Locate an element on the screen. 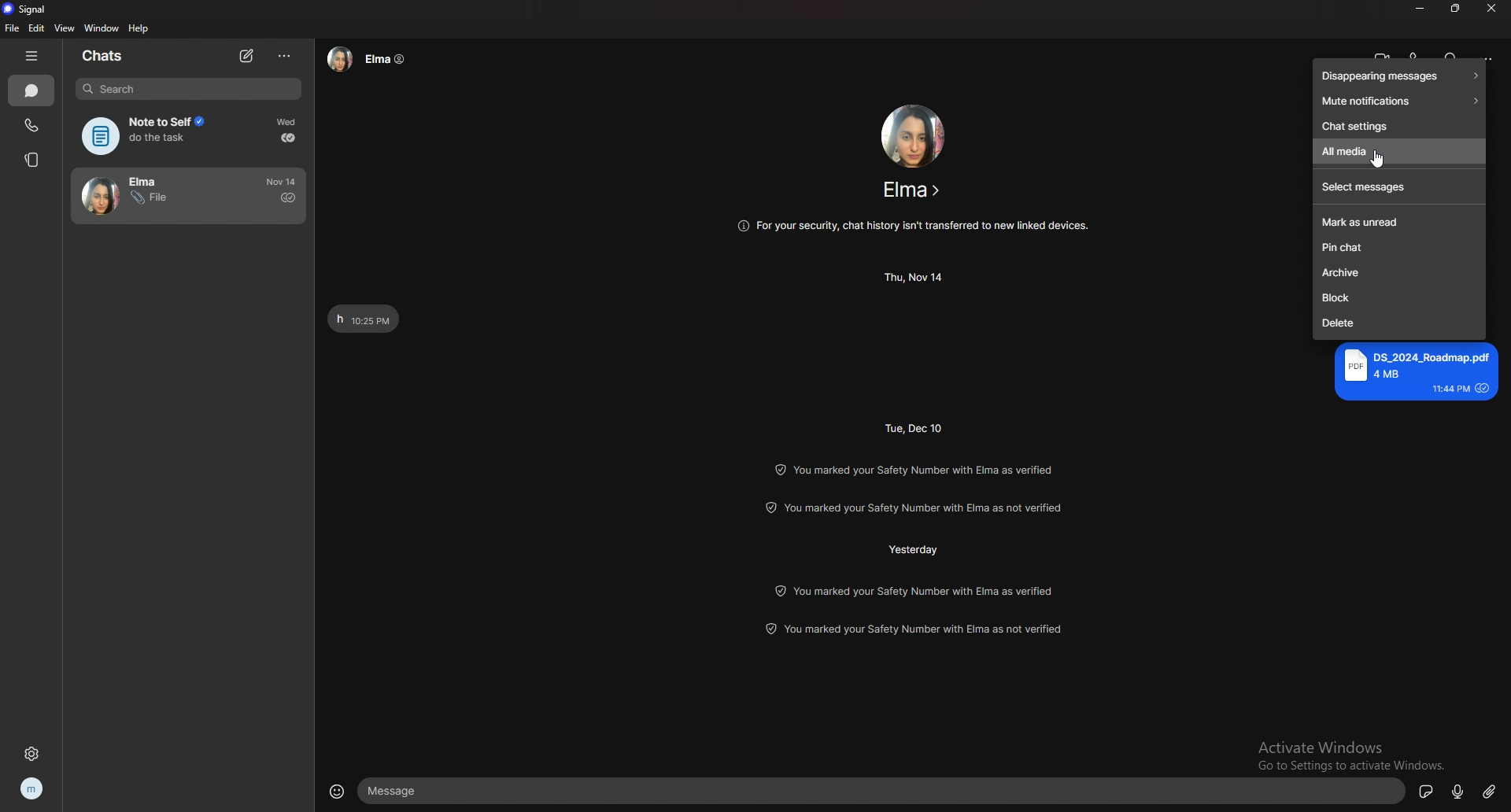 This screenshot has width=1511, height=812. view is located at coordinates (65, 28).